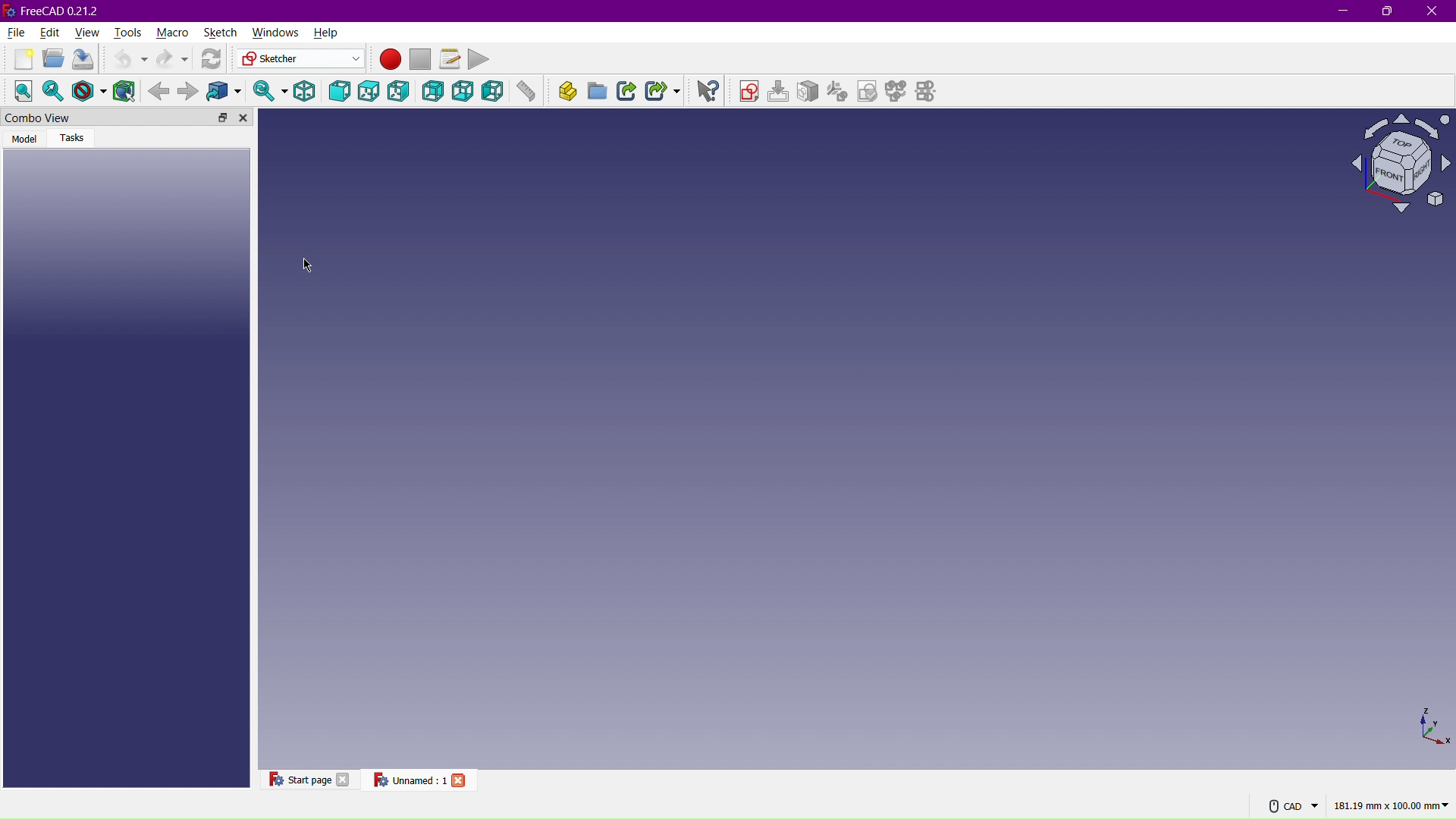 The image size is (1456, 819). I want to click on Maximize, so click(1387, 11).